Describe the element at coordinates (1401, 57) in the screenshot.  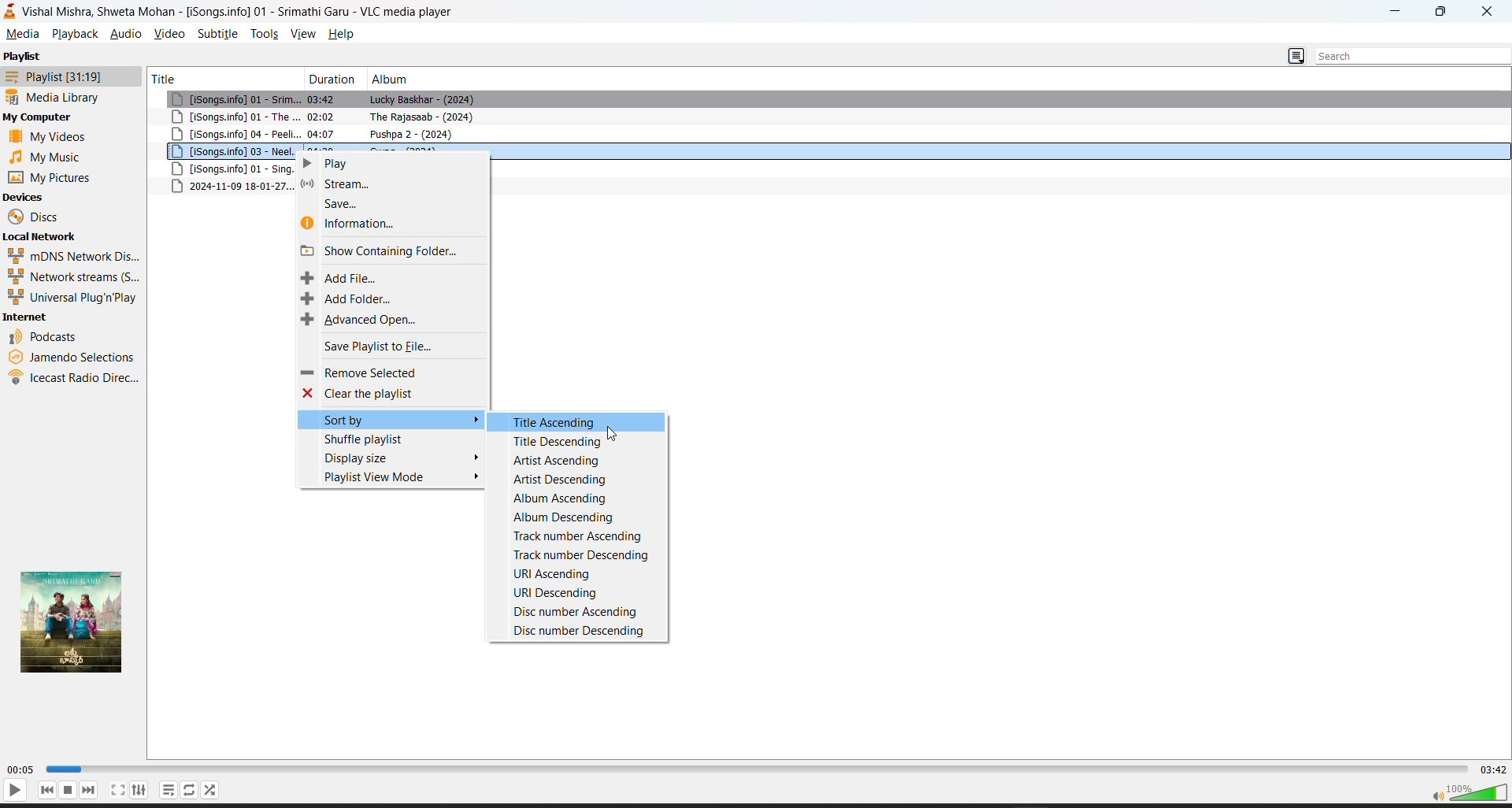
I see `search` at that location.